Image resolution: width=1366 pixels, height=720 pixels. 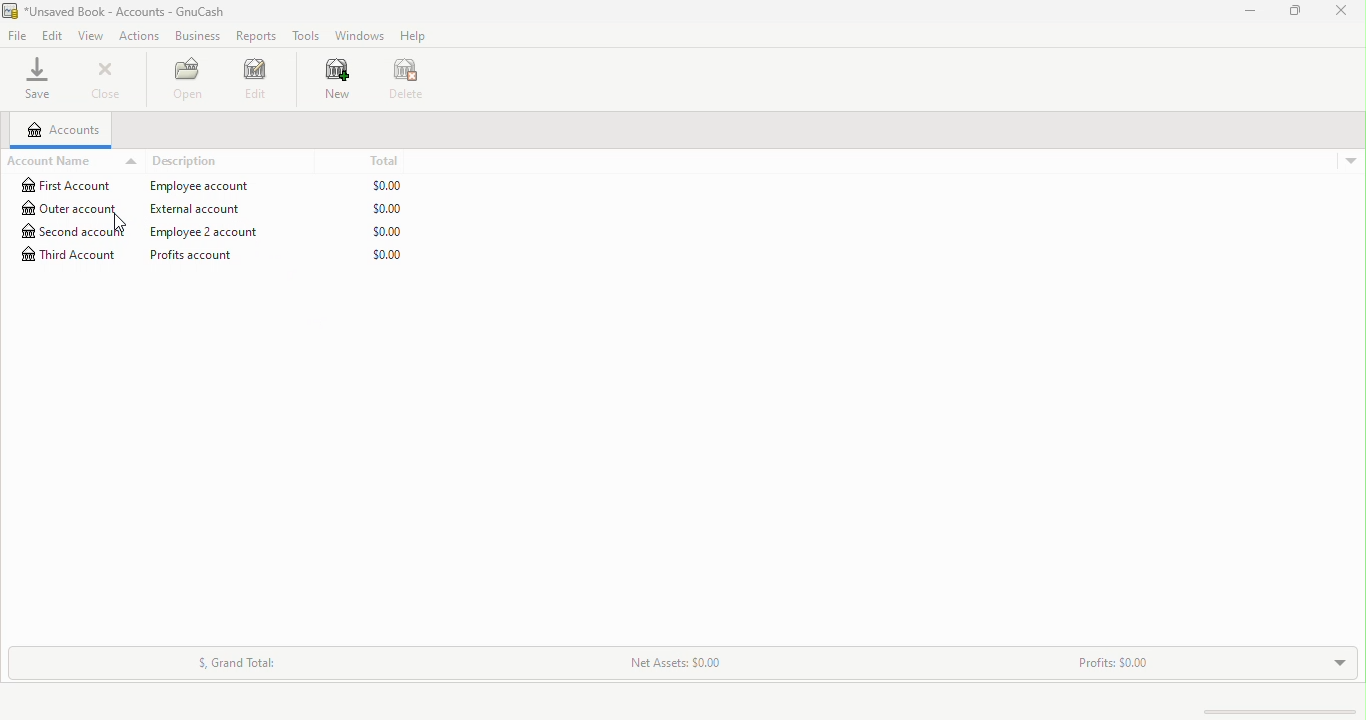 What do you see at coordinates (1255, 9) in the screenshot?
I see `Minimize` at bounding box center [1255, 9].